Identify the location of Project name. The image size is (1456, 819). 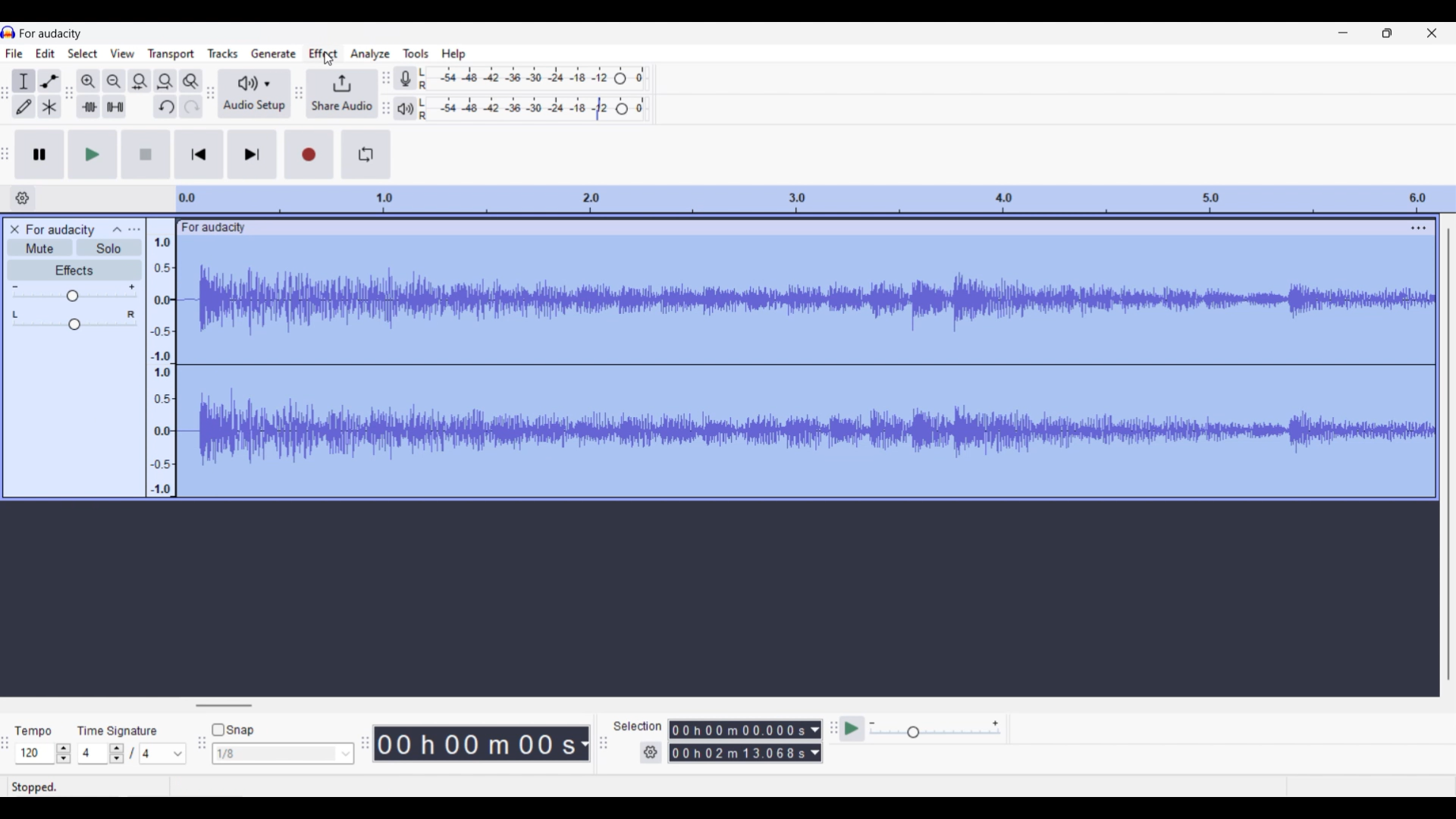
(61, 230).